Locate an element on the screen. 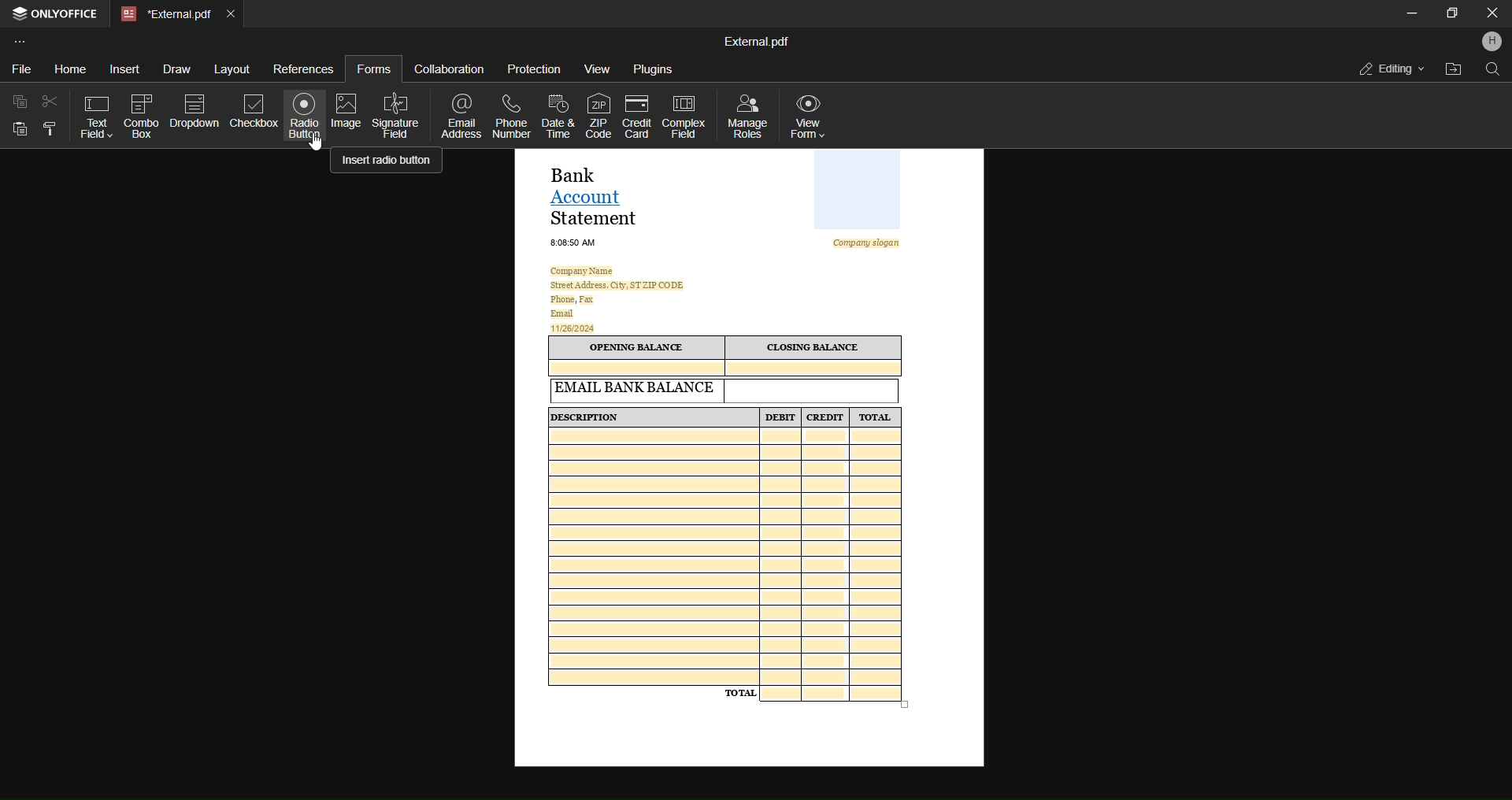  current open form is located at coordinates (747, 461).